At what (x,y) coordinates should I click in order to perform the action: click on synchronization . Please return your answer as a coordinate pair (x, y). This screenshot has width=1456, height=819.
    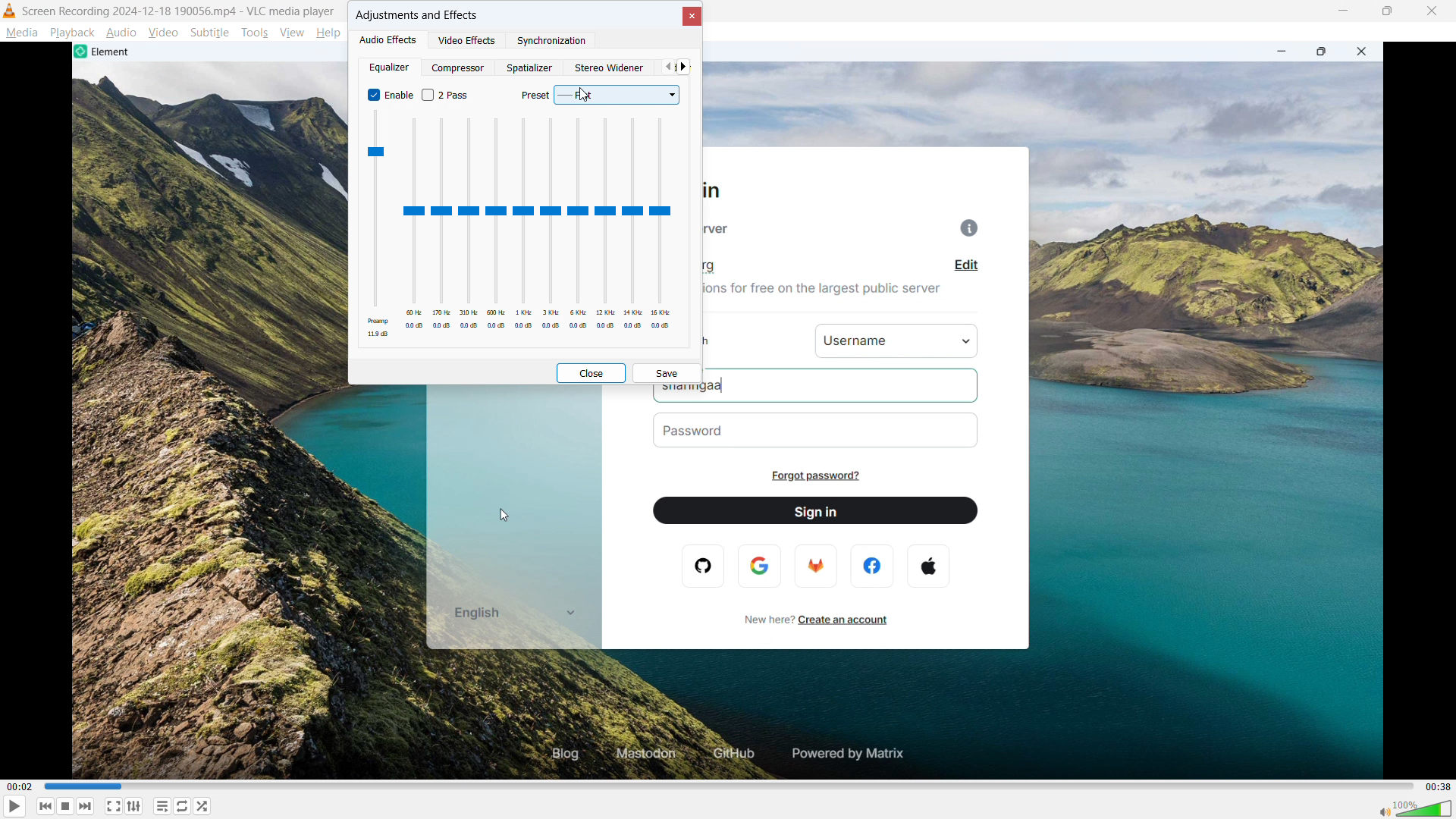
    Looking at the image, I should click on (552, 41).